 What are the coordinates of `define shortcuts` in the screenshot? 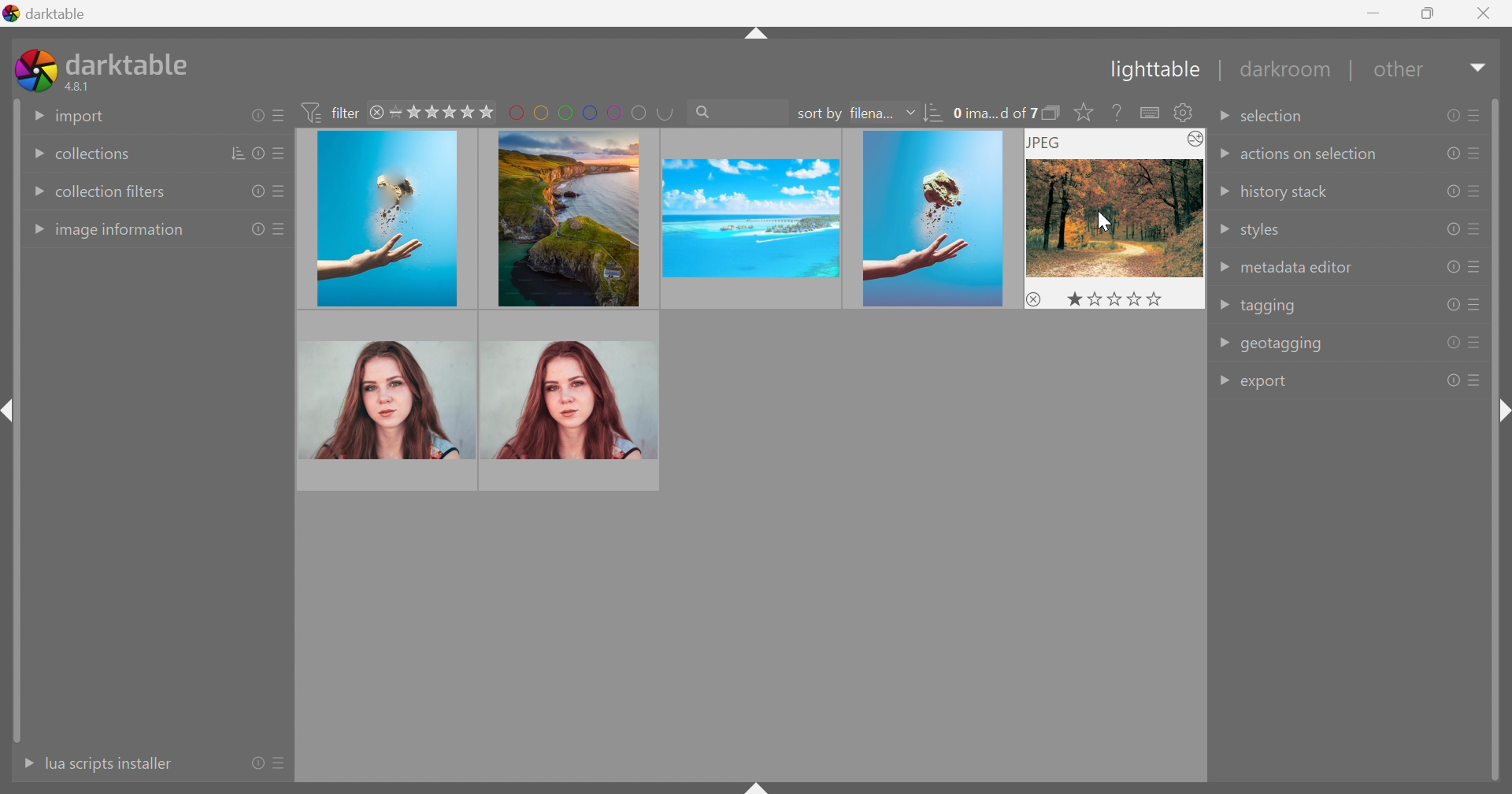 It's located at (1151, 113).